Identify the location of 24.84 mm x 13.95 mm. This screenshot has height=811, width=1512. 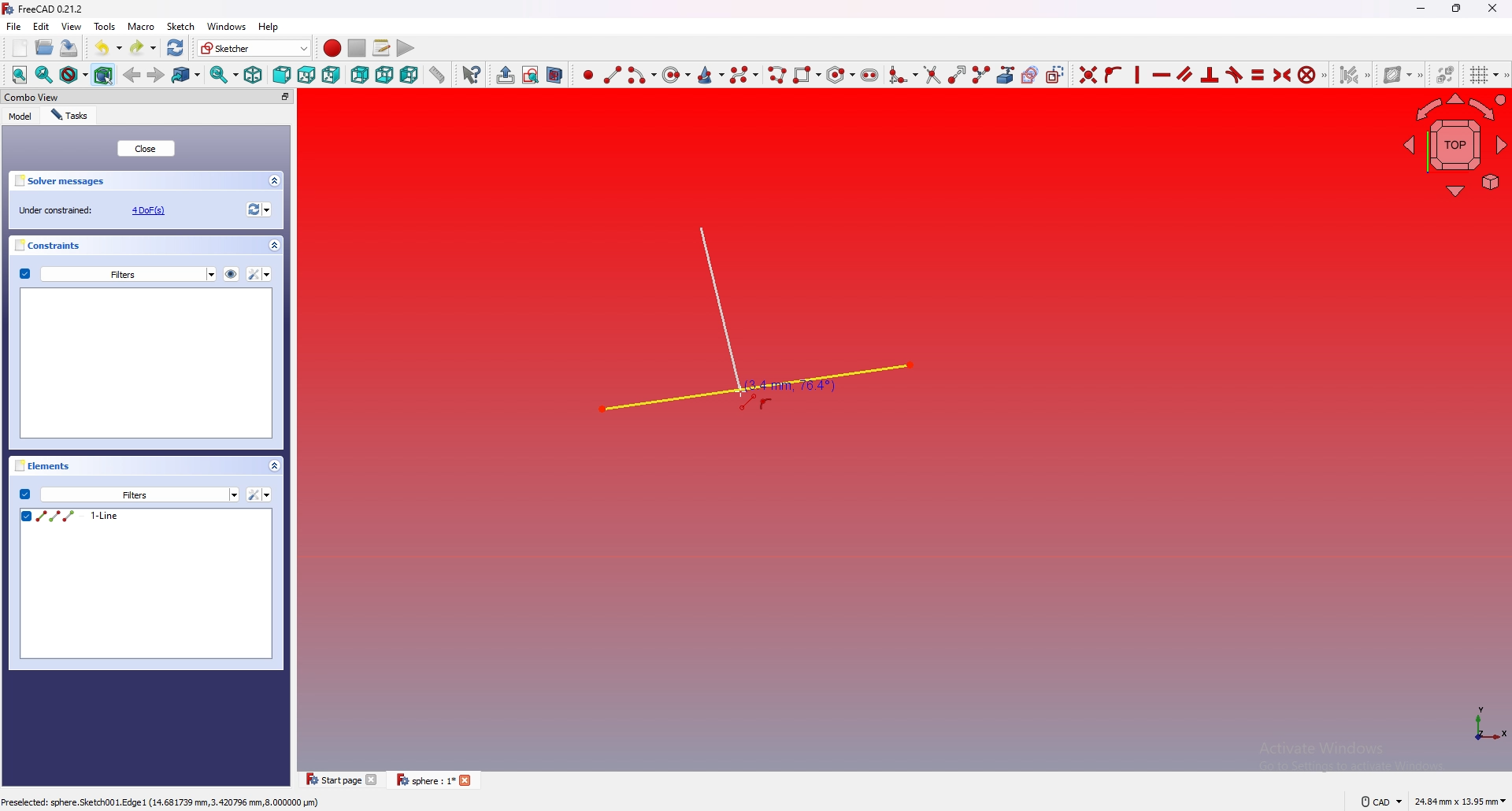
(1460, 802).